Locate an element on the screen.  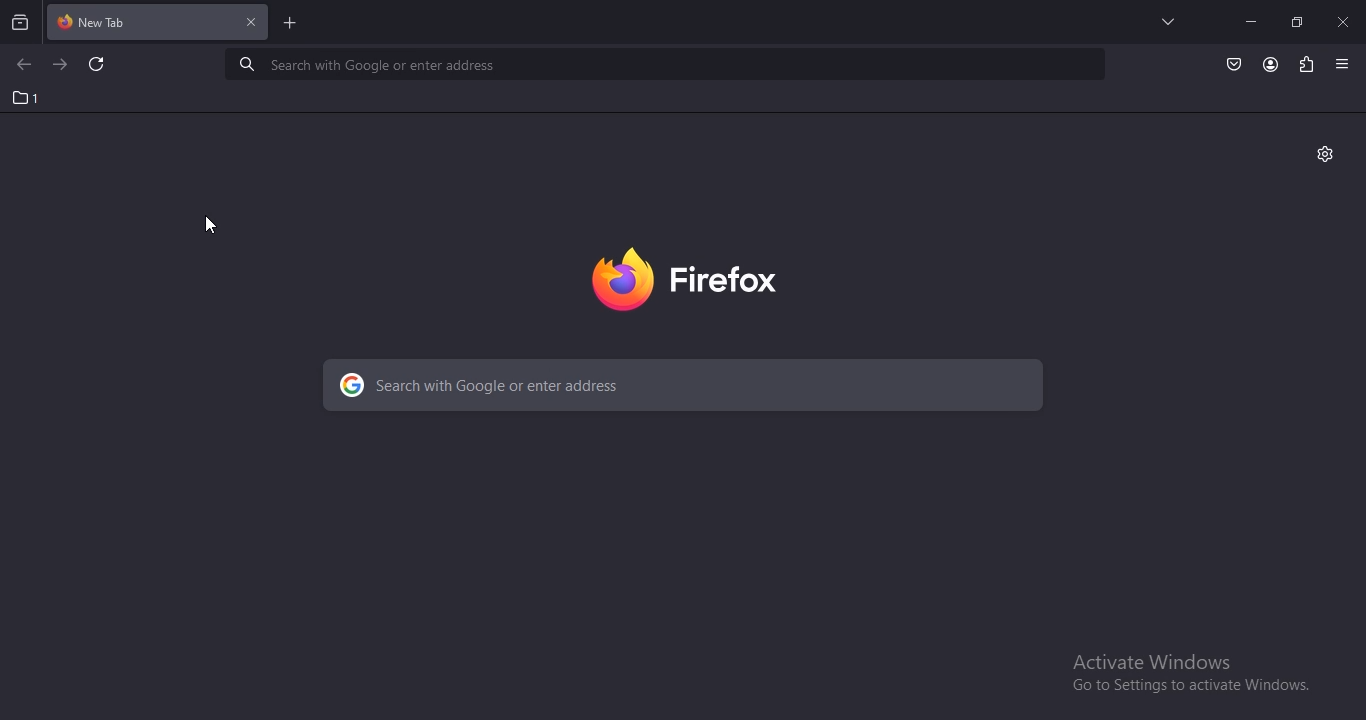
1 is located at coordinates (27, 98).